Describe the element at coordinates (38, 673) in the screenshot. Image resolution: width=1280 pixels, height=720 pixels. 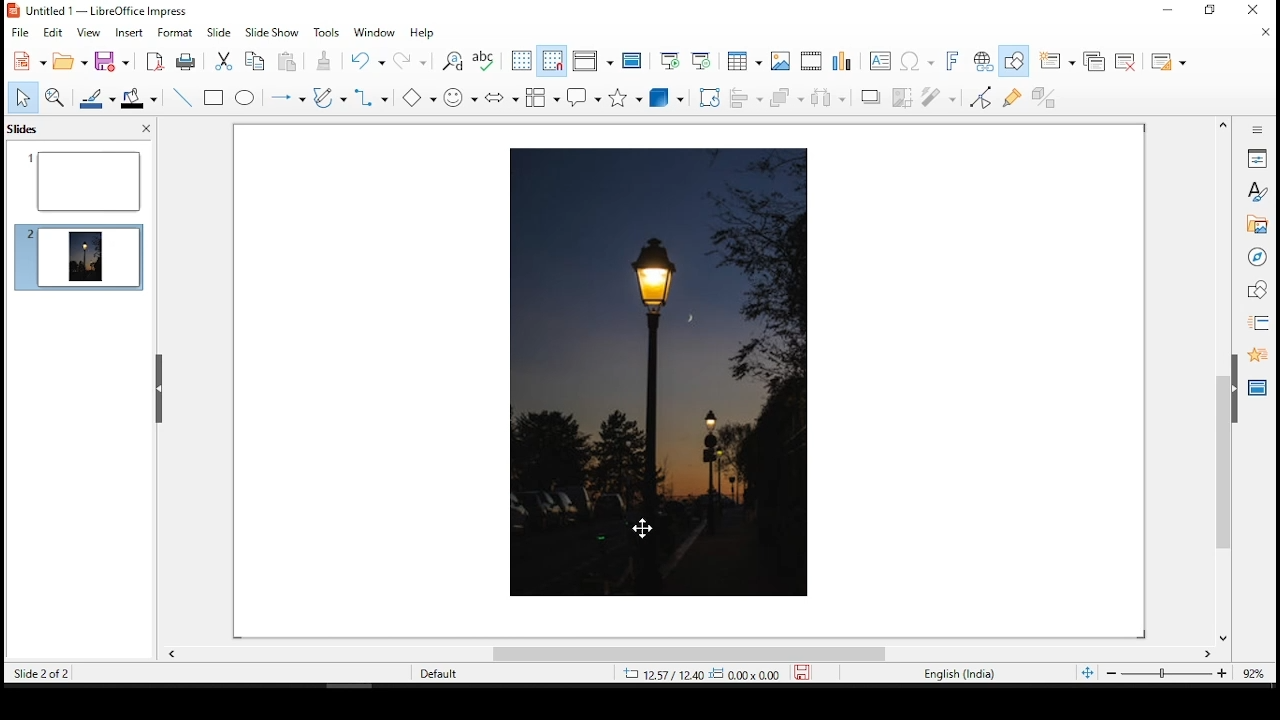
I see `Slide 2 of 2` at that location.